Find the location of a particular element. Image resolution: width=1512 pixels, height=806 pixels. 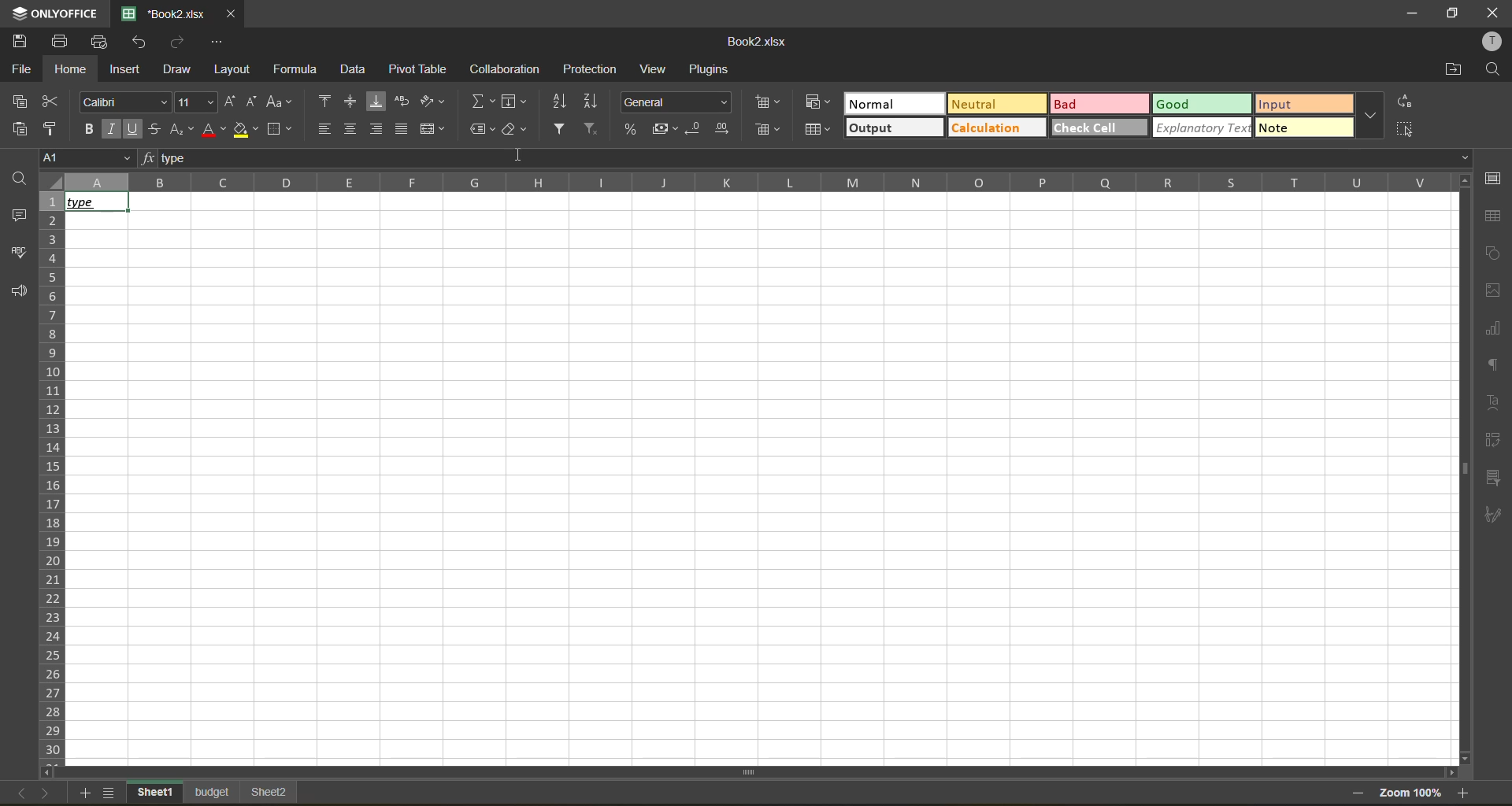

explanatory text is located at coordinates (1204, 128).